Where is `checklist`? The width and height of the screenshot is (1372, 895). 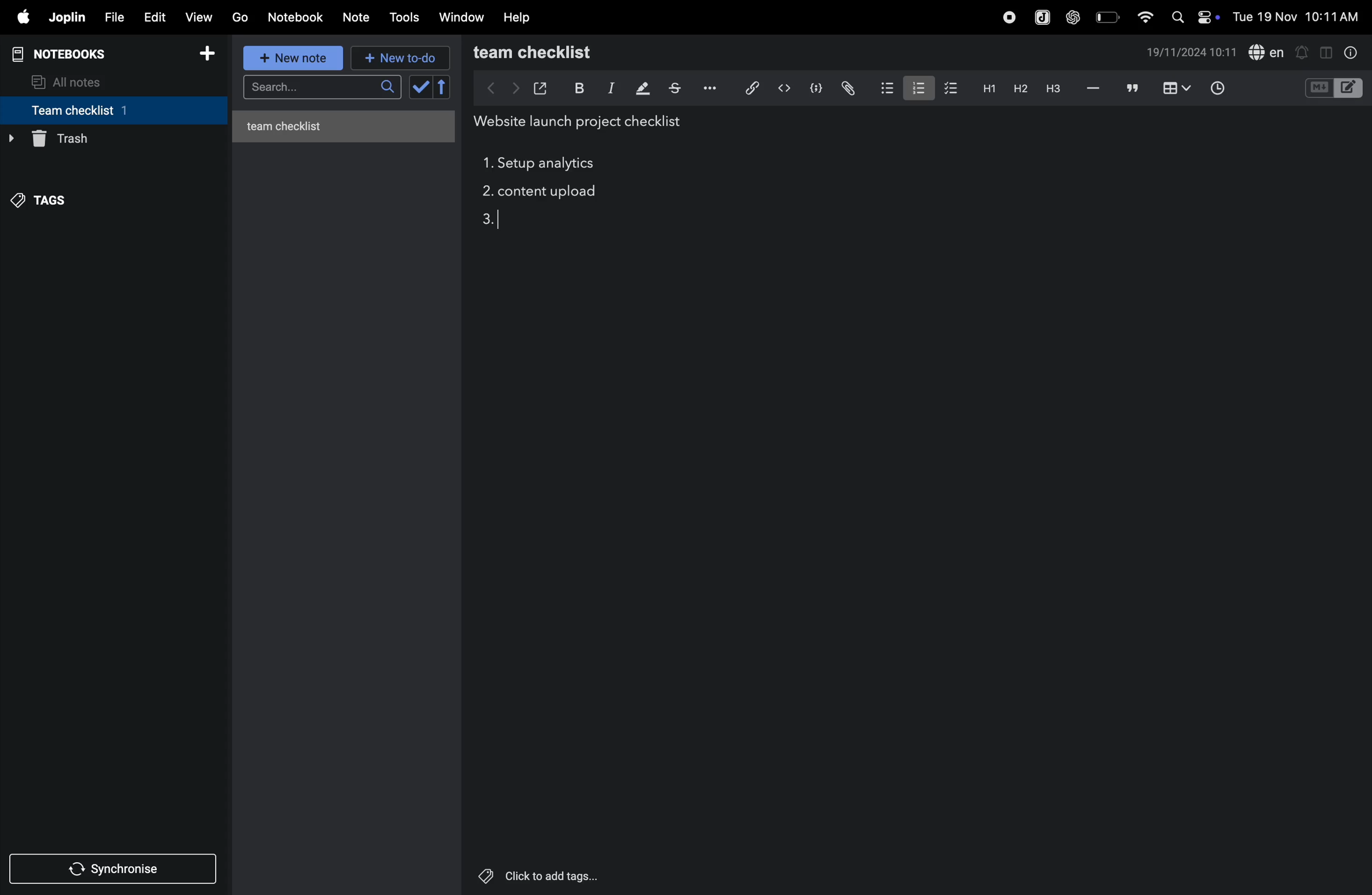
checklist is located at coordinates (952, 89).